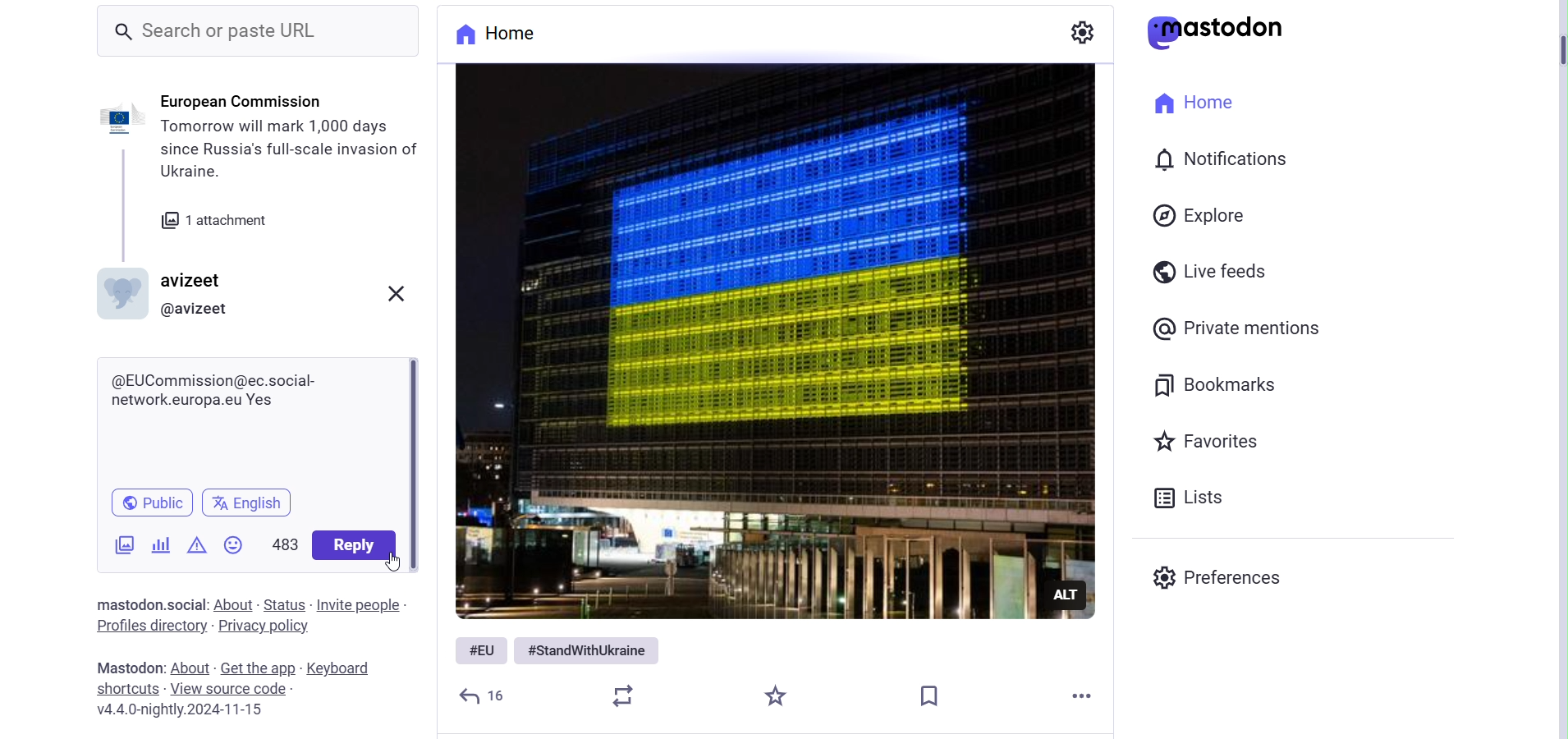 The image size is (1568, 739). I want to click on Explore, so click(1202, 215).